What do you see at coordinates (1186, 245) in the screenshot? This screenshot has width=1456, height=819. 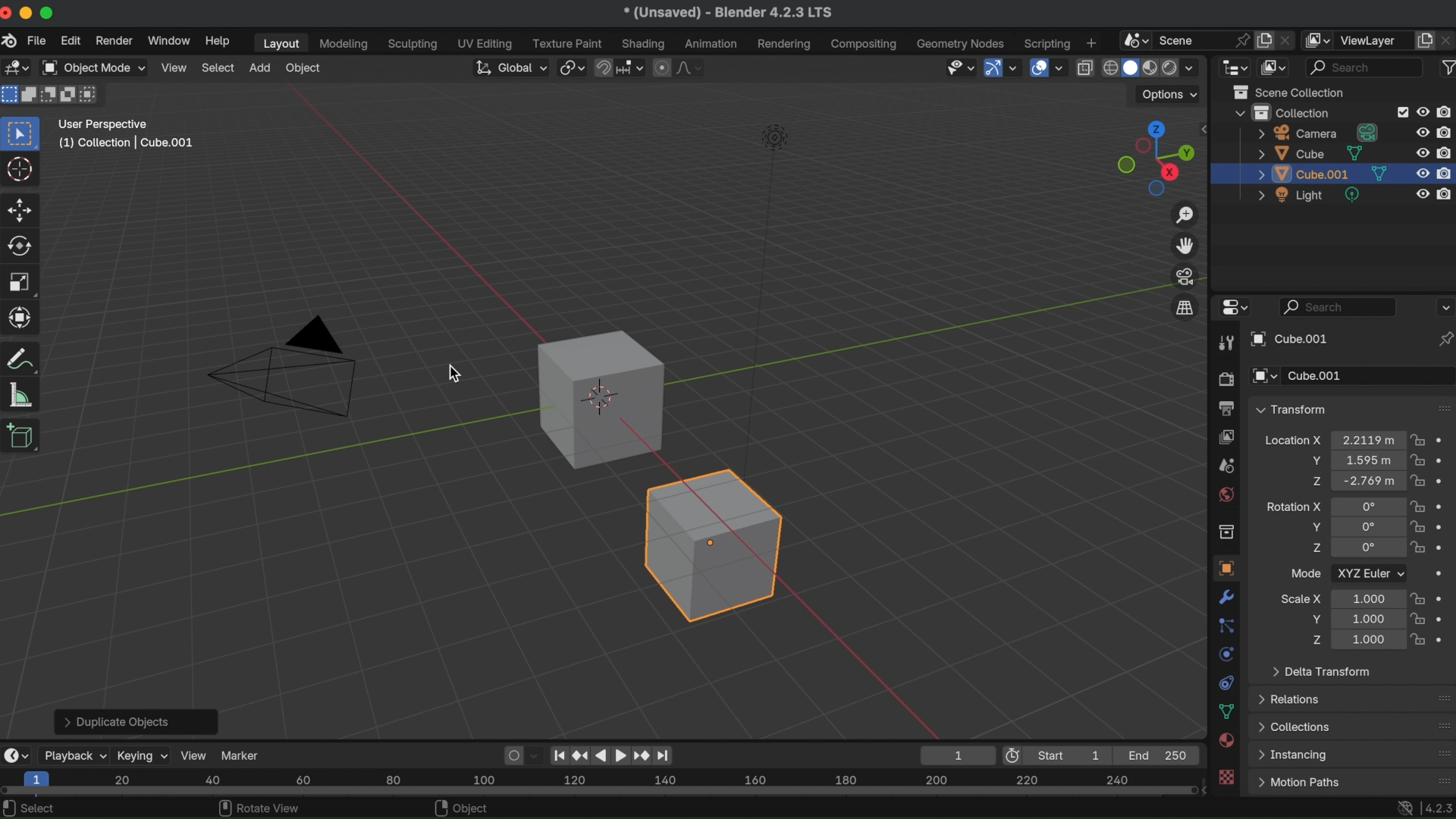 I see `move the view` at bounding box center [1186, 245].